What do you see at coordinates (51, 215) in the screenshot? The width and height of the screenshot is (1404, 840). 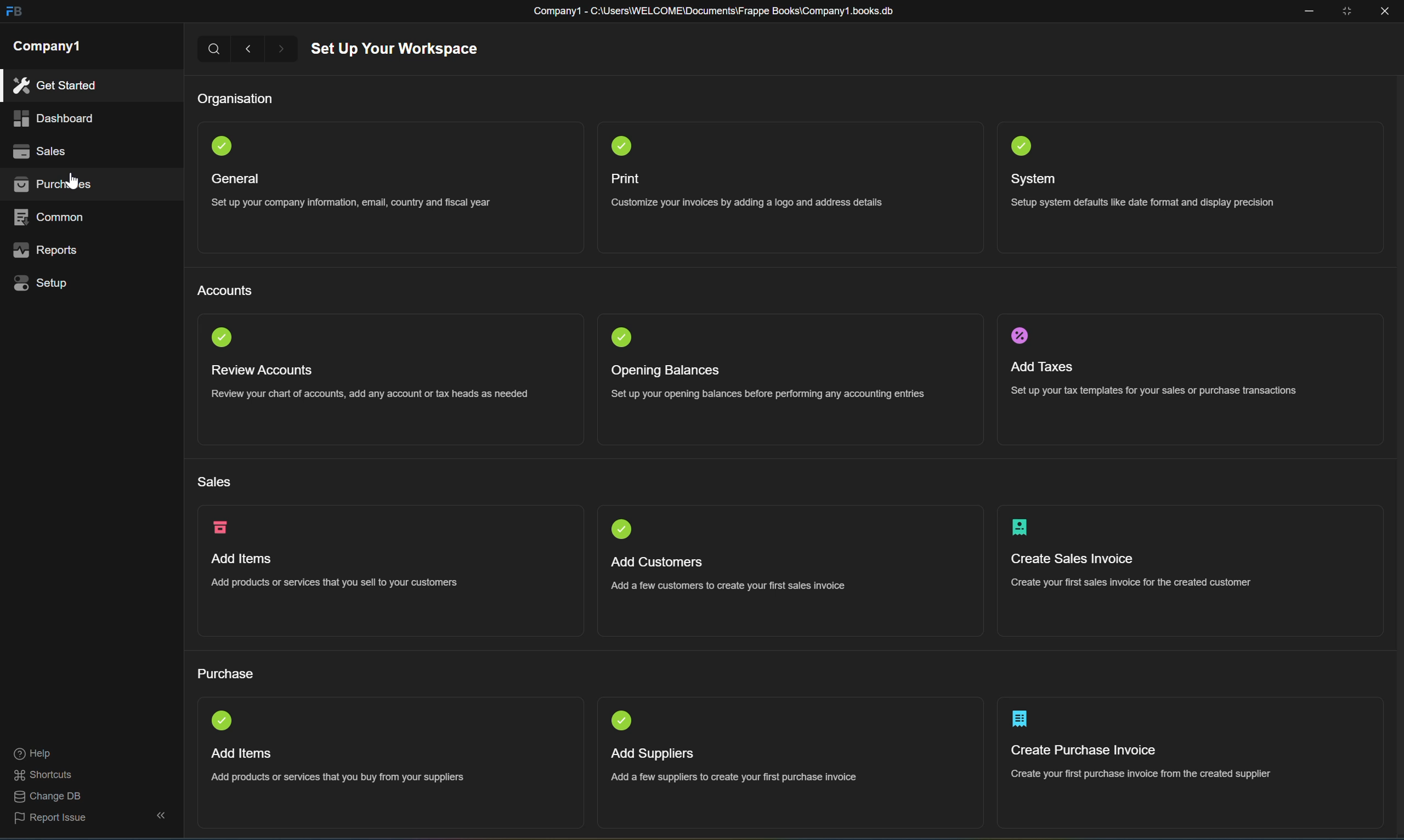 I see `comman` at bounding box center [51, 215].